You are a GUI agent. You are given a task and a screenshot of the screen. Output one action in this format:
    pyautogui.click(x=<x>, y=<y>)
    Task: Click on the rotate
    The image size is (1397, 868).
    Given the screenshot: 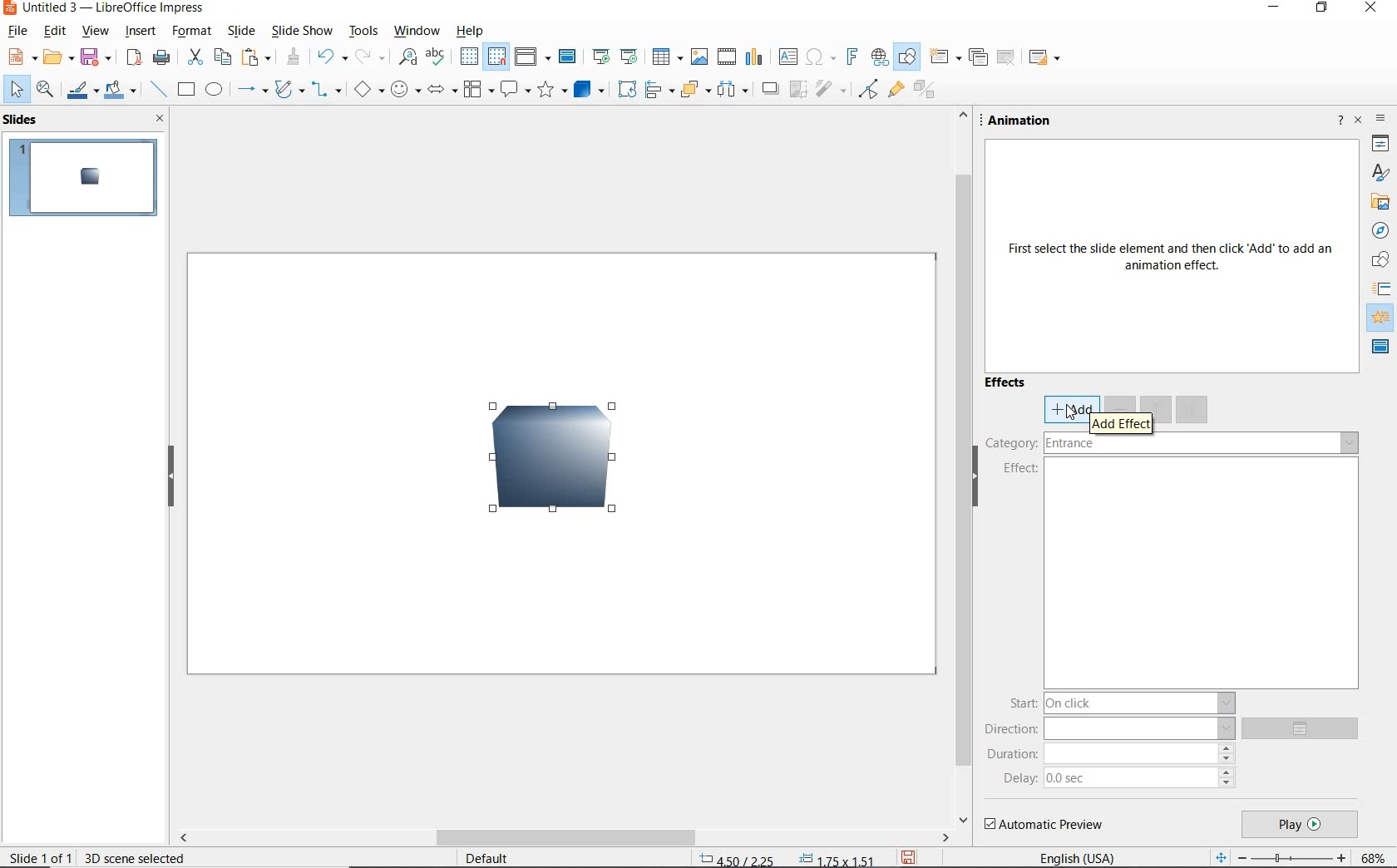 What is the action you would take?
    pyautogui.click(x=629, y=89)
    